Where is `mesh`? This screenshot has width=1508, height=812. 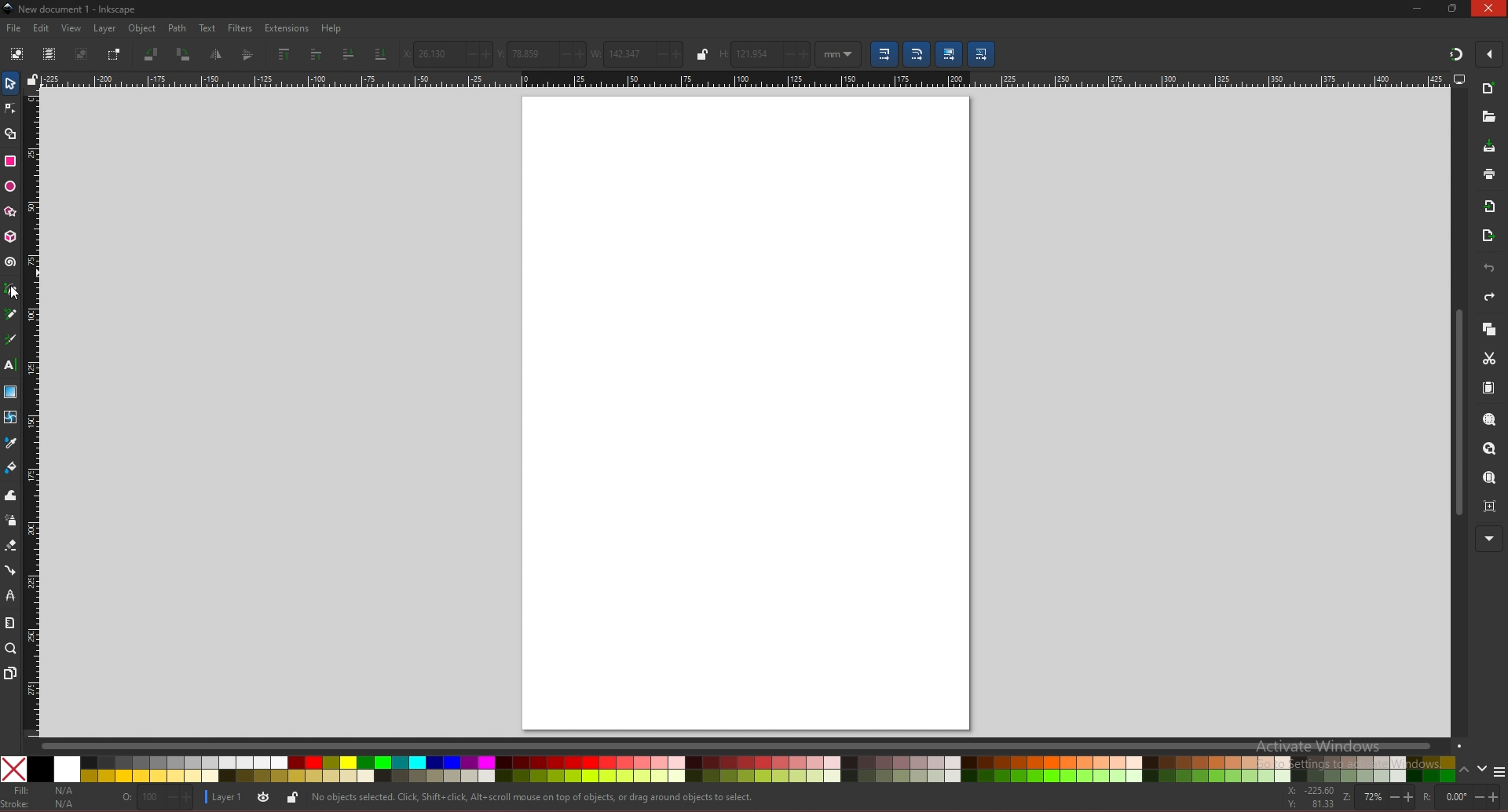
mesh is located at coordinates (9, 417).